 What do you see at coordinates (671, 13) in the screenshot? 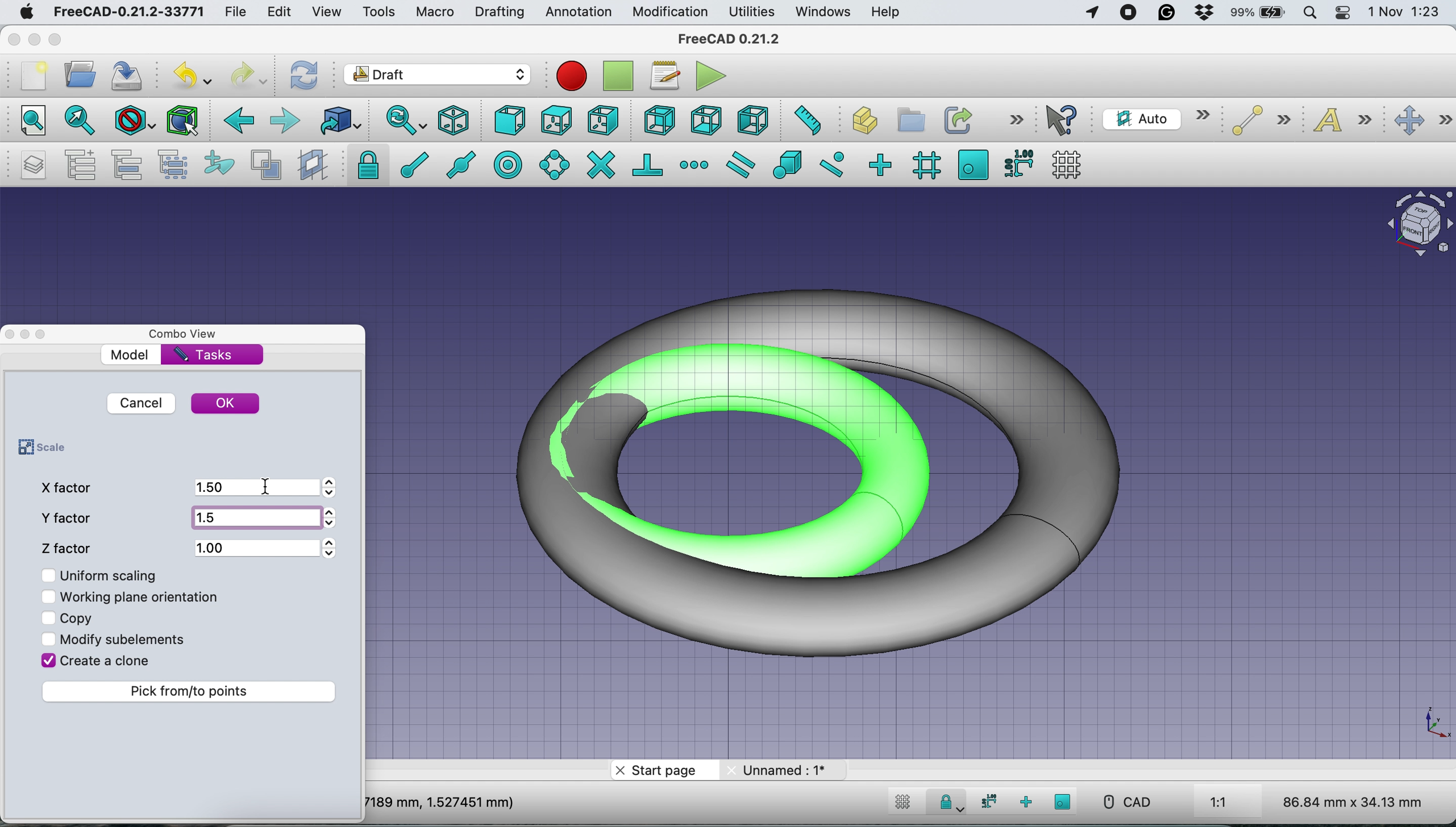
I see `modification` at bounding box center [671, 13].